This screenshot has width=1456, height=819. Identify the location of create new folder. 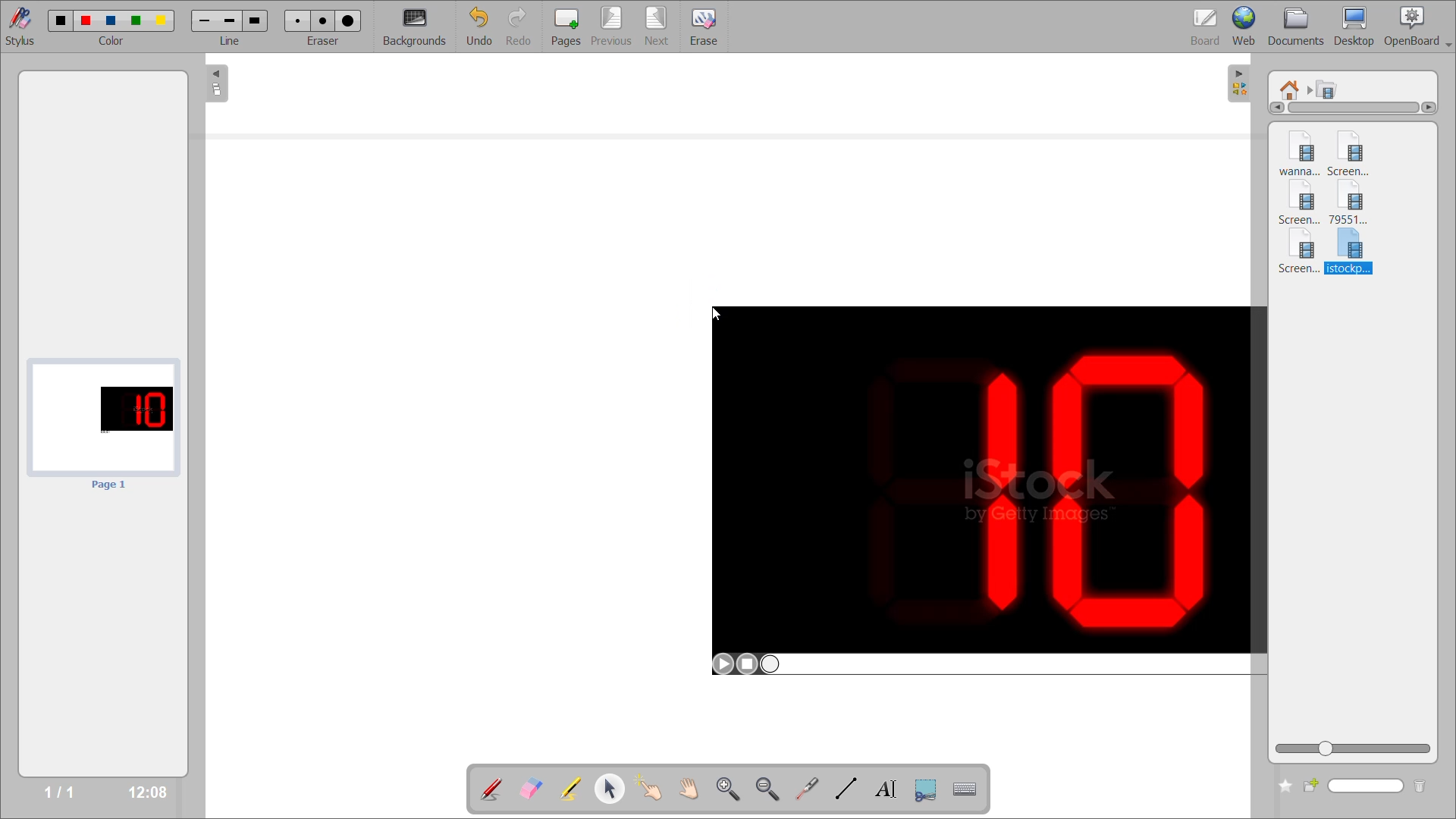
(1282, 786).